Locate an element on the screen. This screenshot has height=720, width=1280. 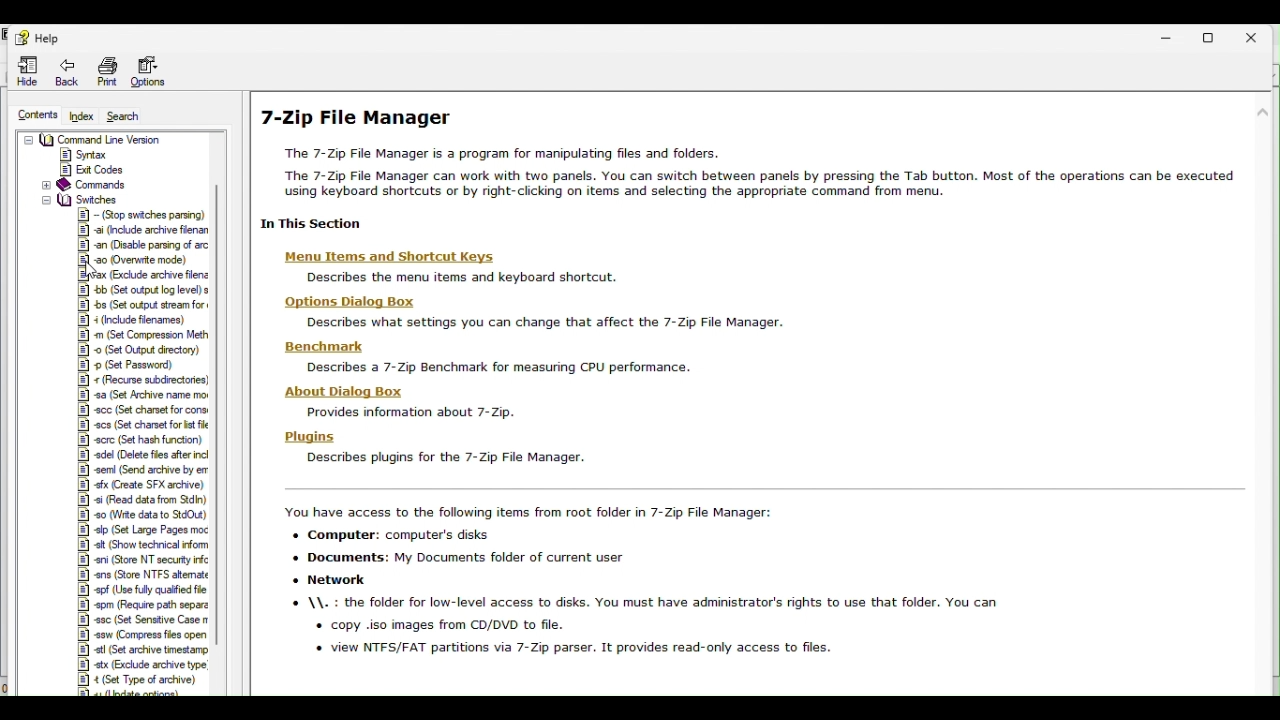
#4 (Include filenames) is located at coordinates (129, 319).